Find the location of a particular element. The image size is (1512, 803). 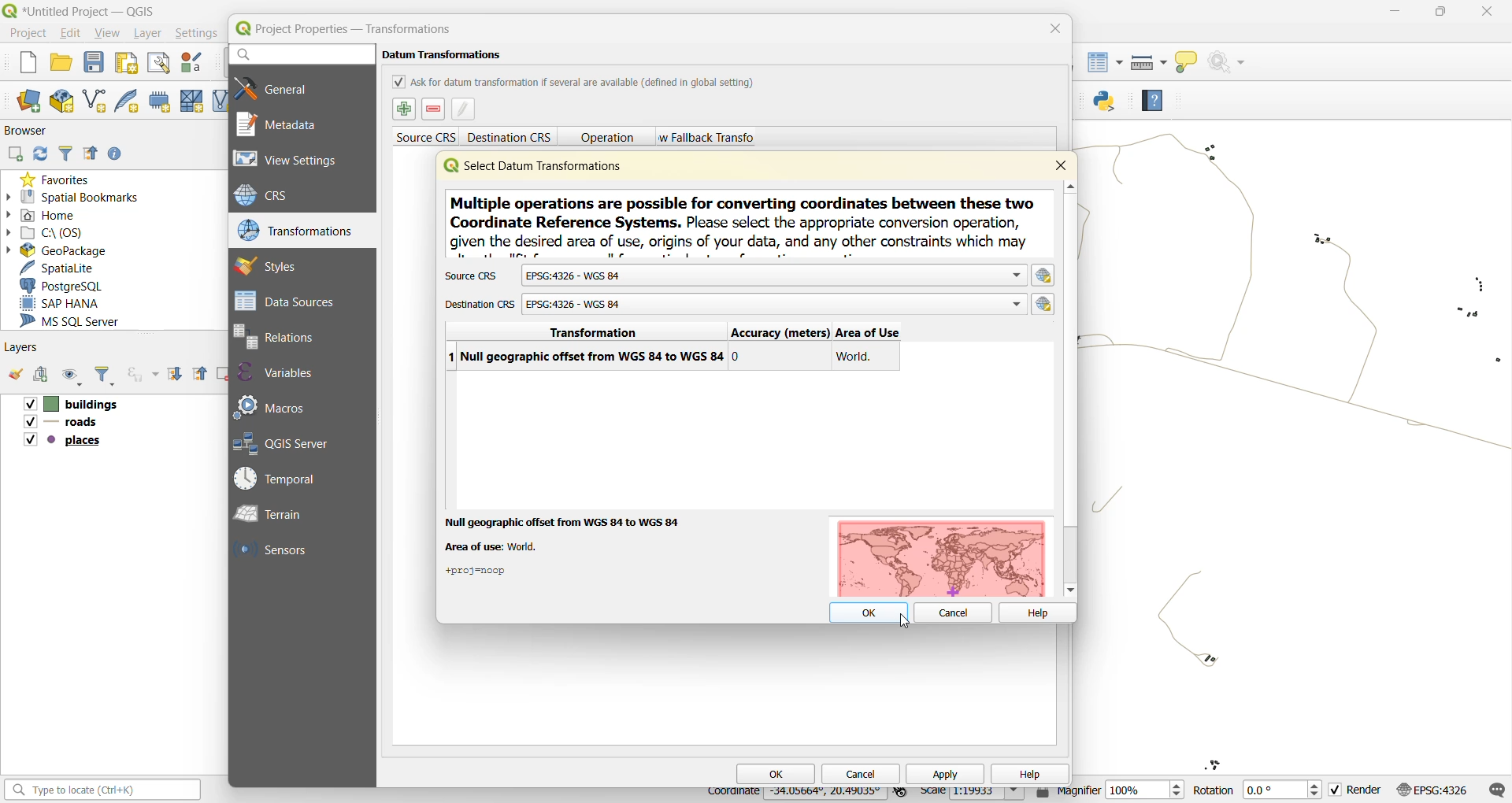

c\:os is located at coordinates (51, 231).